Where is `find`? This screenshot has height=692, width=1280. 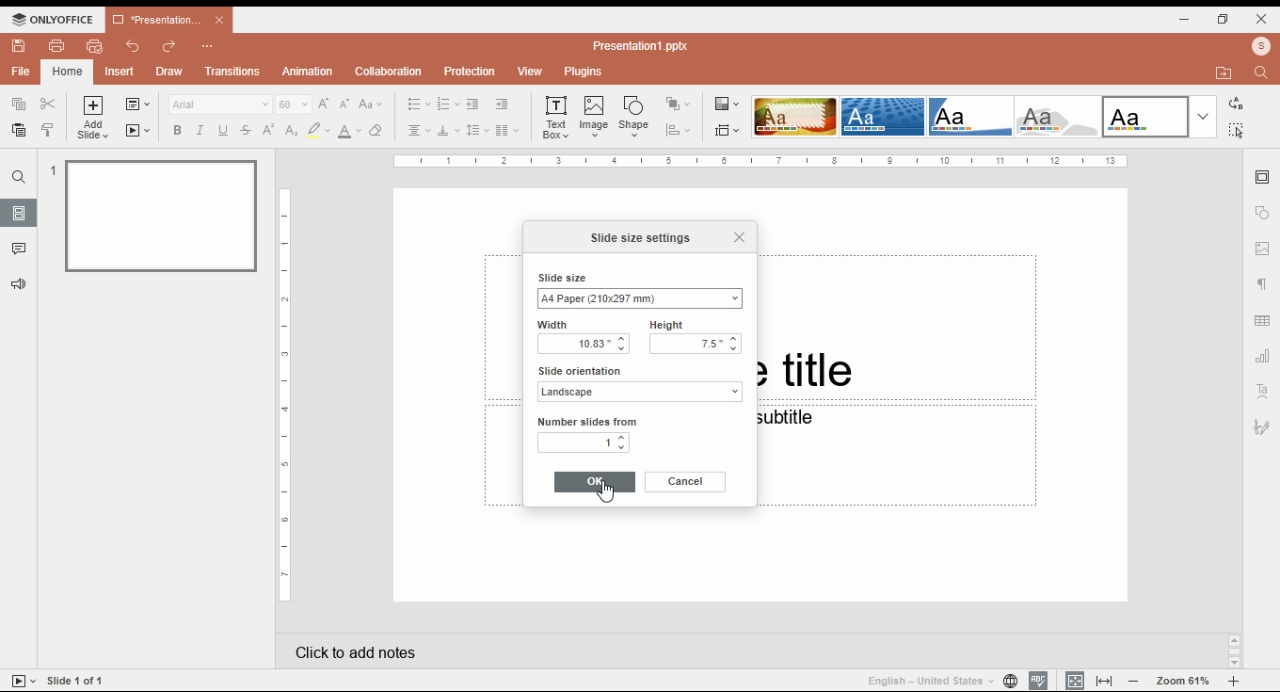 find is located at coordinates (19, 177).